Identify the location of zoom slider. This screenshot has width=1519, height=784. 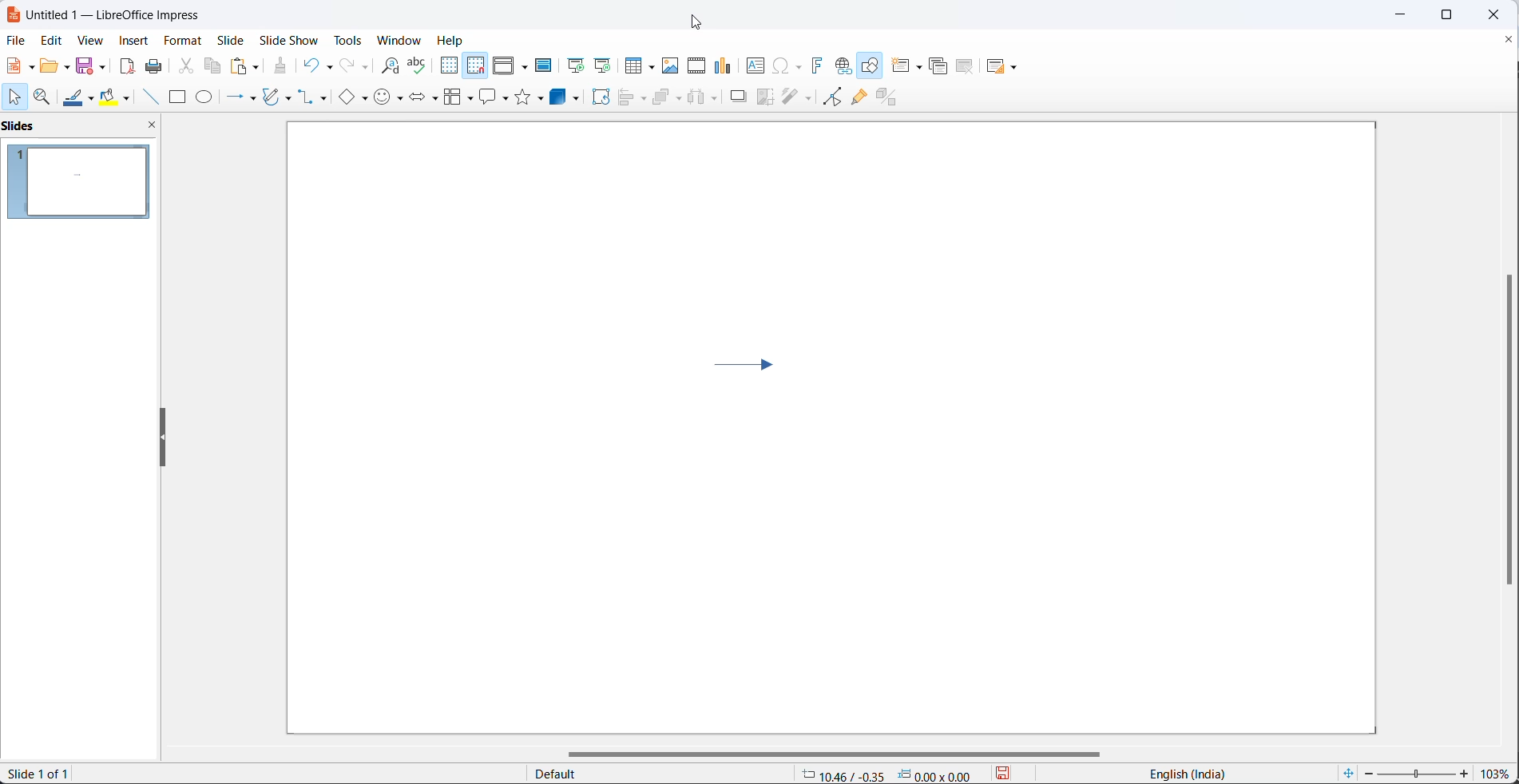
(1418, 771).